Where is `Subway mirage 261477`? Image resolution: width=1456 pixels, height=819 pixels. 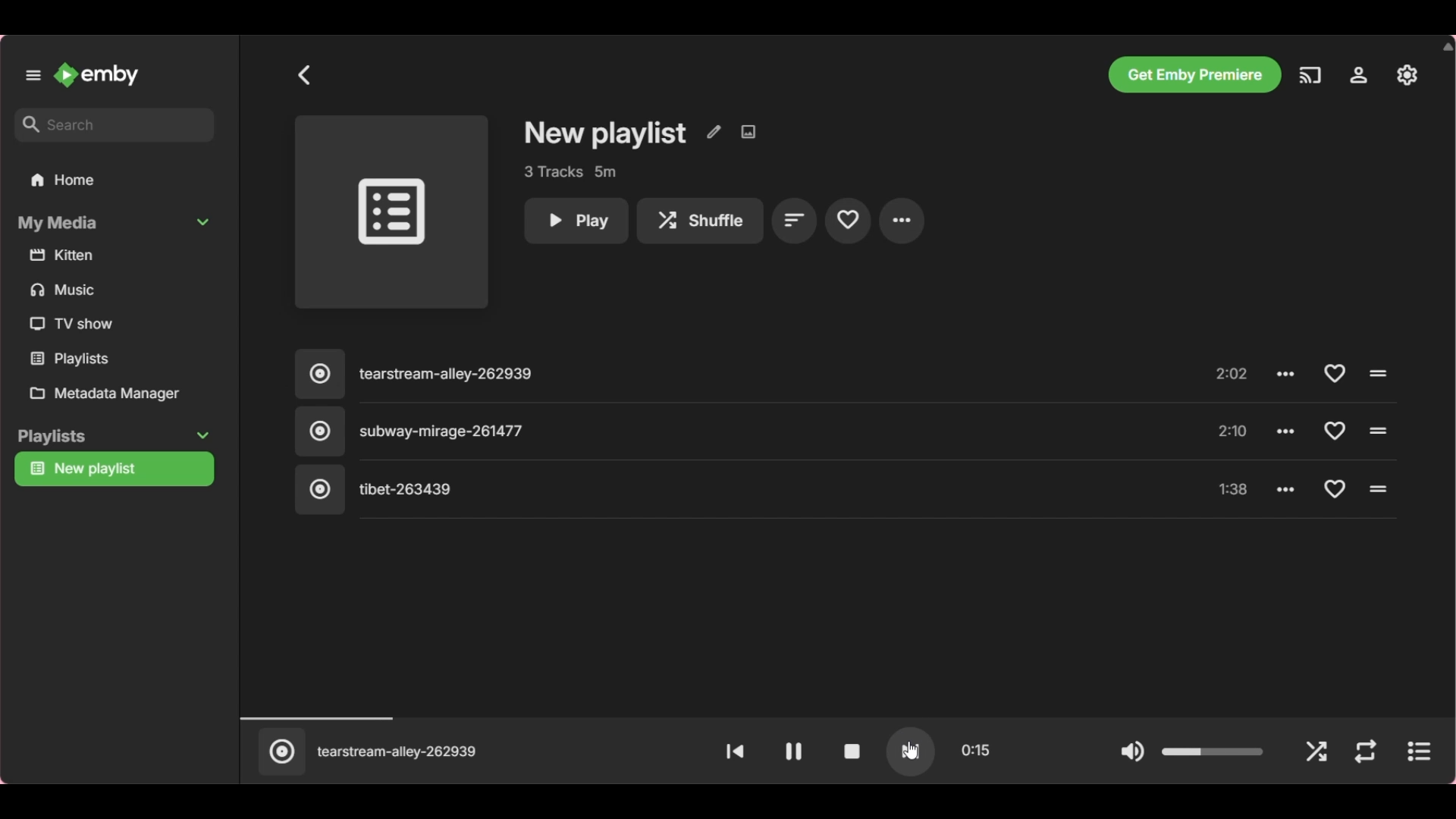 Subway mirage 261477 is located at coordinates (419, 431).